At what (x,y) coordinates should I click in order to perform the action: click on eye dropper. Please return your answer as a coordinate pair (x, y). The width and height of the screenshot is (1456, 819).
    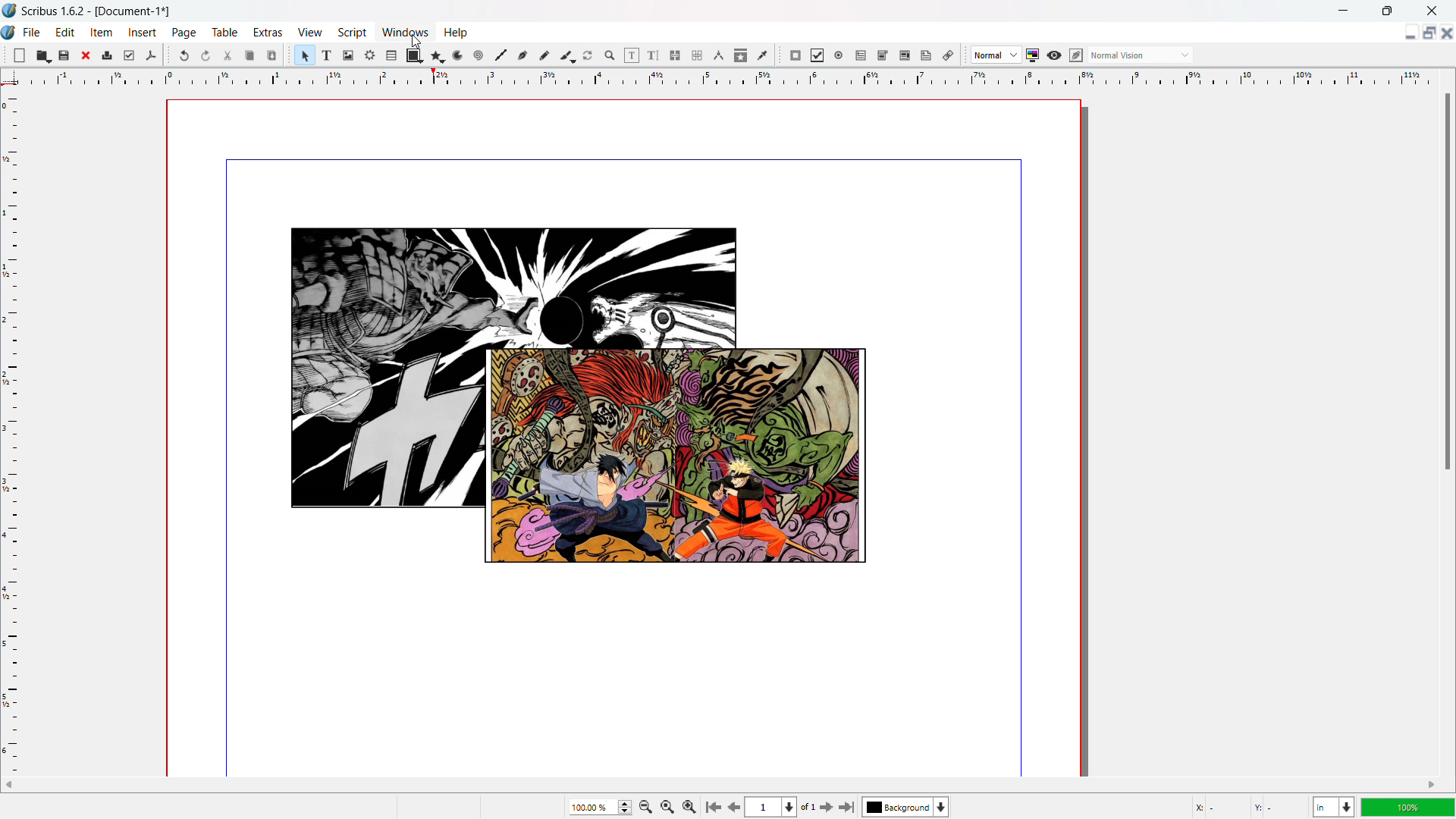
    Looking at the image, I should click on (762, 56).